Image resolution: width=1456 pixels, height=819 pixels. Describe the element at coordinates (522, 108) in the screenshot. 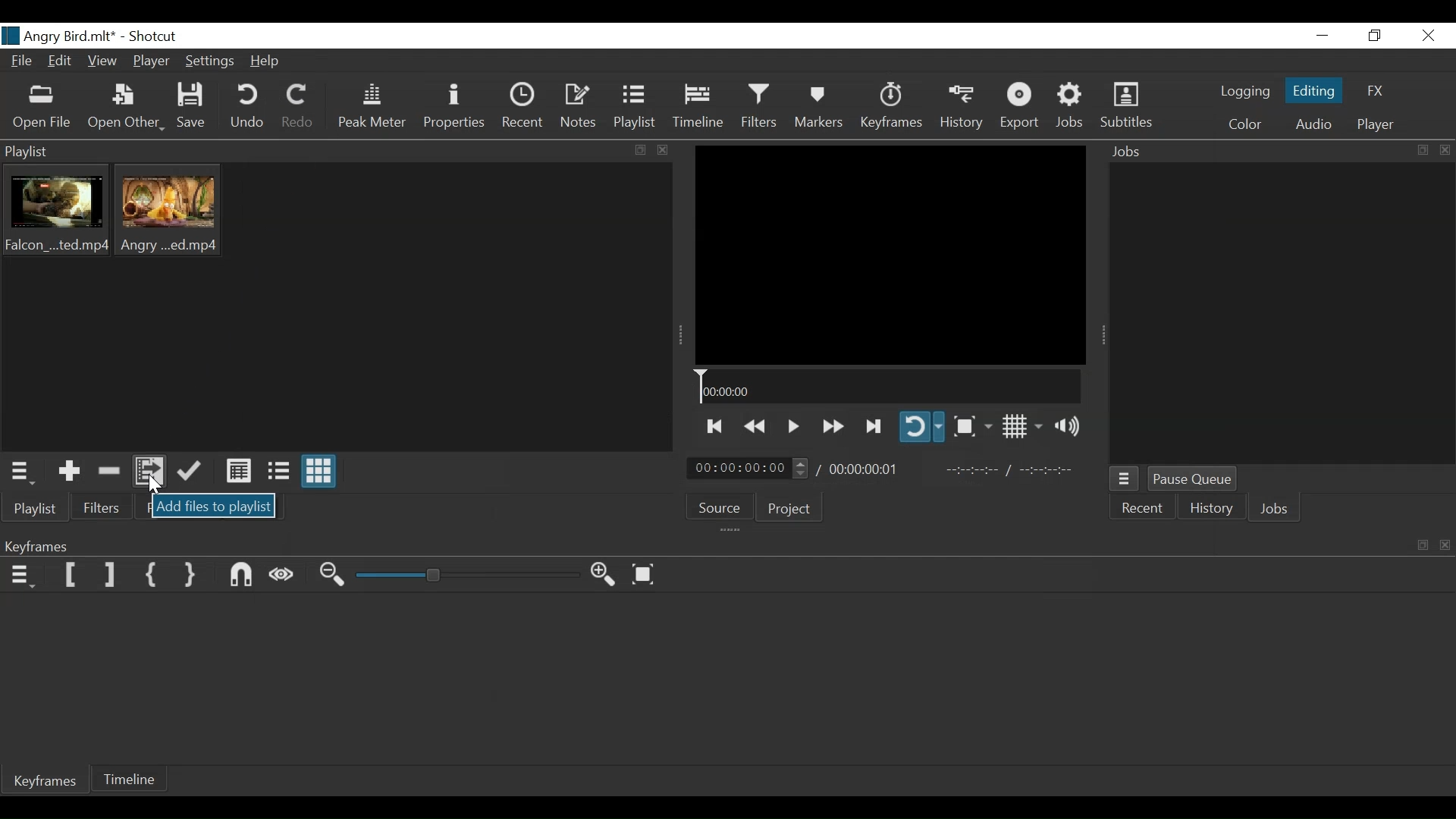

I see `Recent` at that location.